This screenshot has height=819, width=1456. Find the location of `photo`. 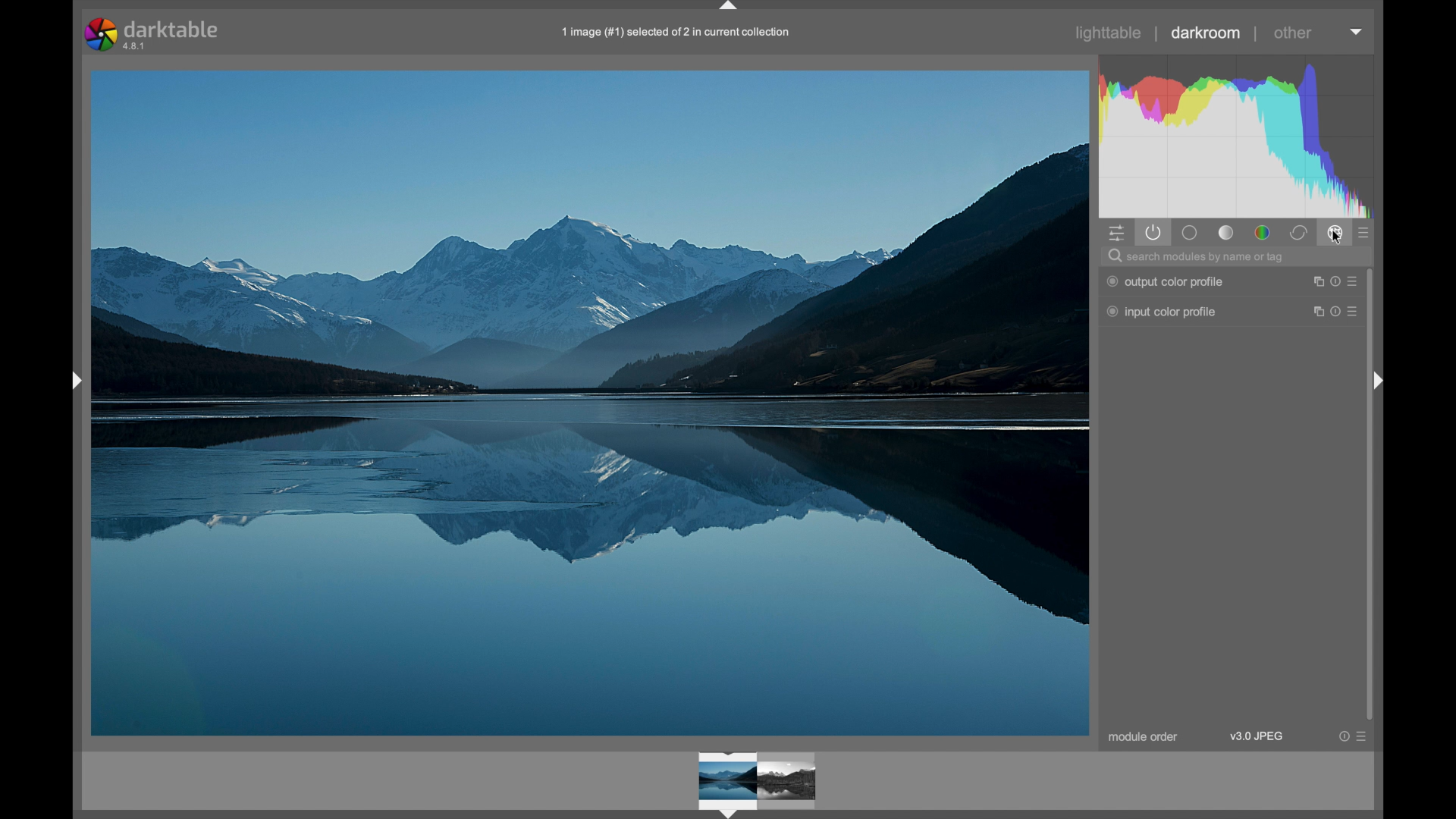

photo is located at coordinates (590, 401).